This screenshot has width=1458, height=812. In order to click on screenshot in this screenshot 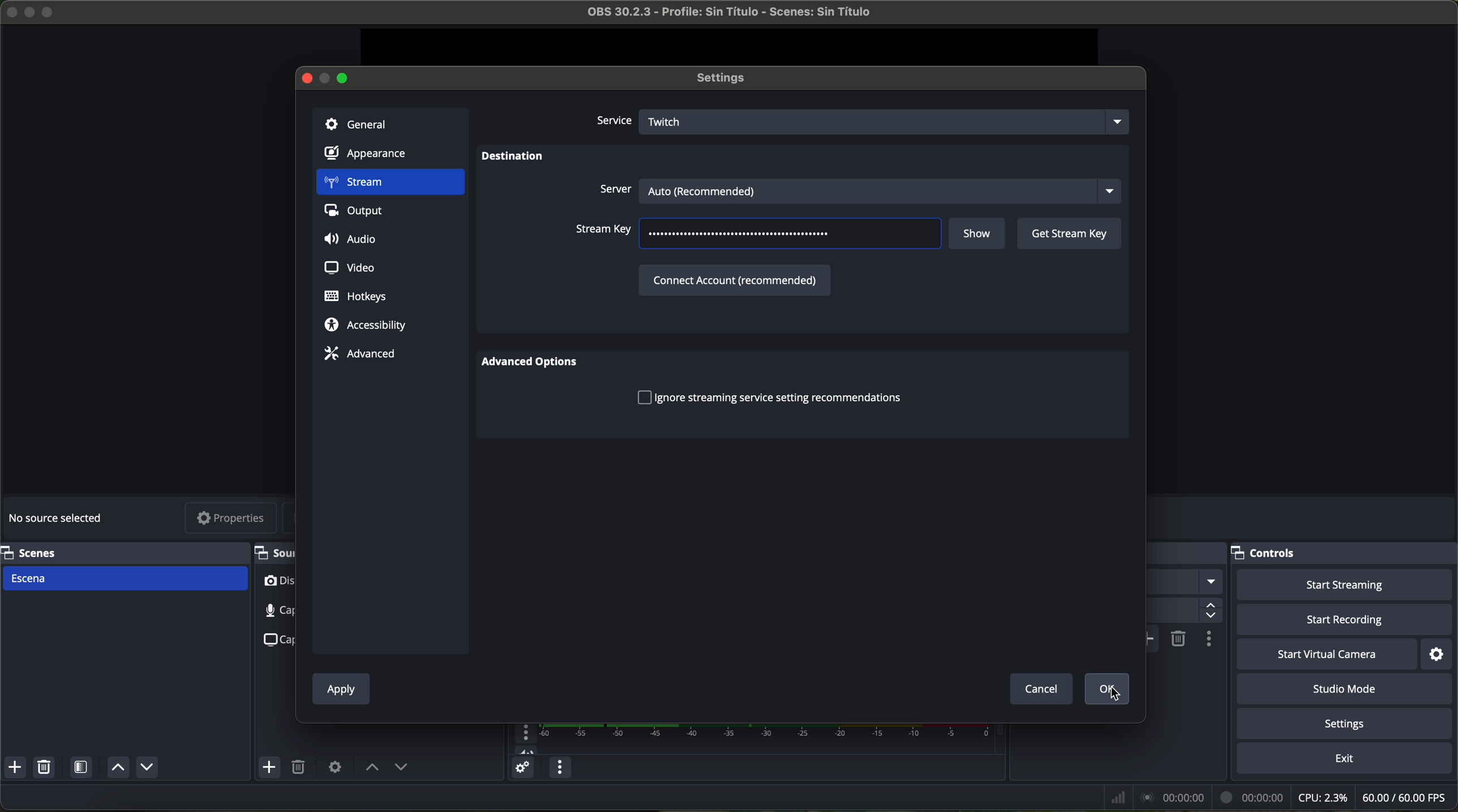, I will do `click(276, 639)`.